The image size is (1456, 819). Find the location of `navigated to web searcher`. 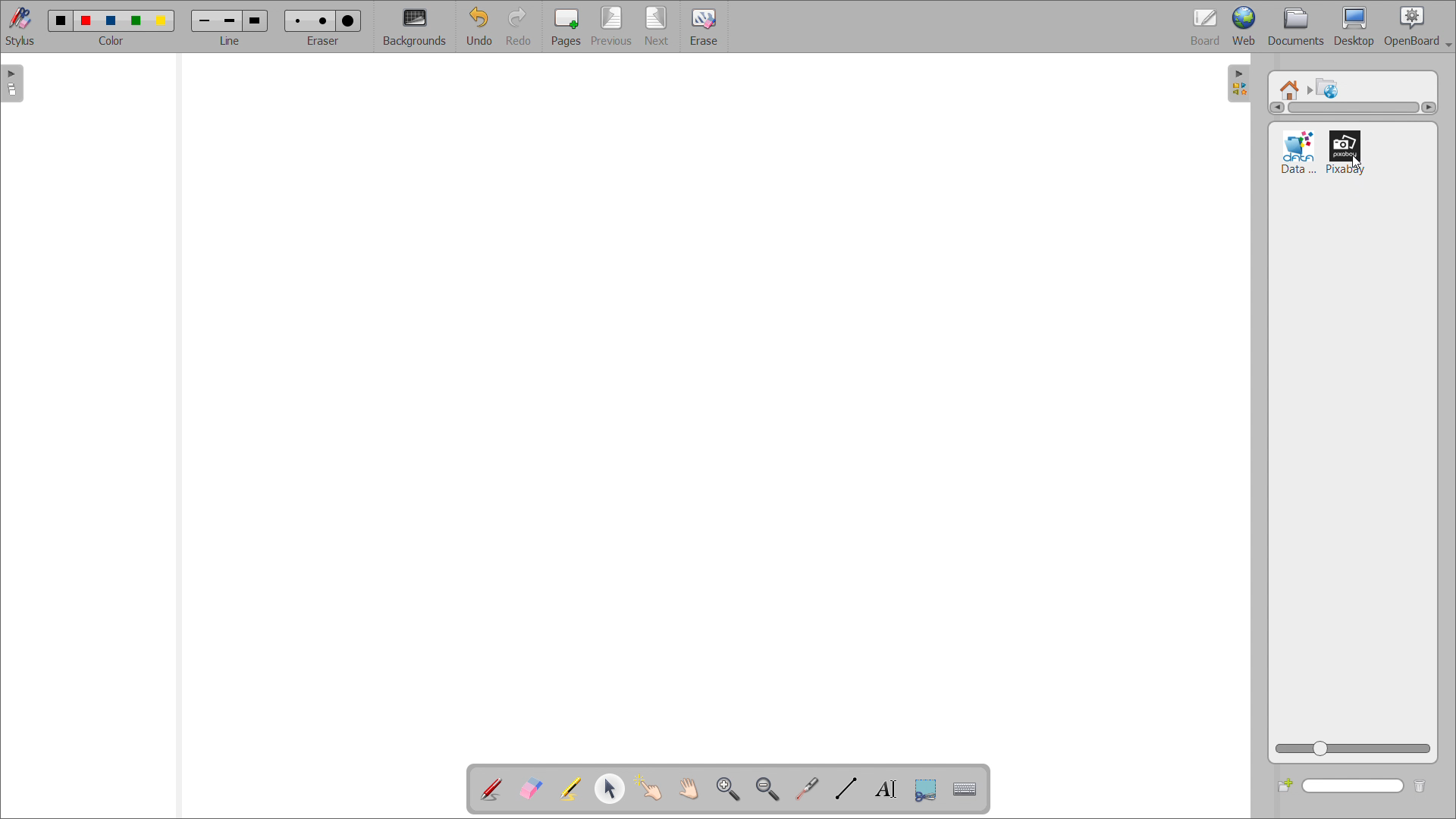

navigated to web searcher is located at coordinates (1291, 86).